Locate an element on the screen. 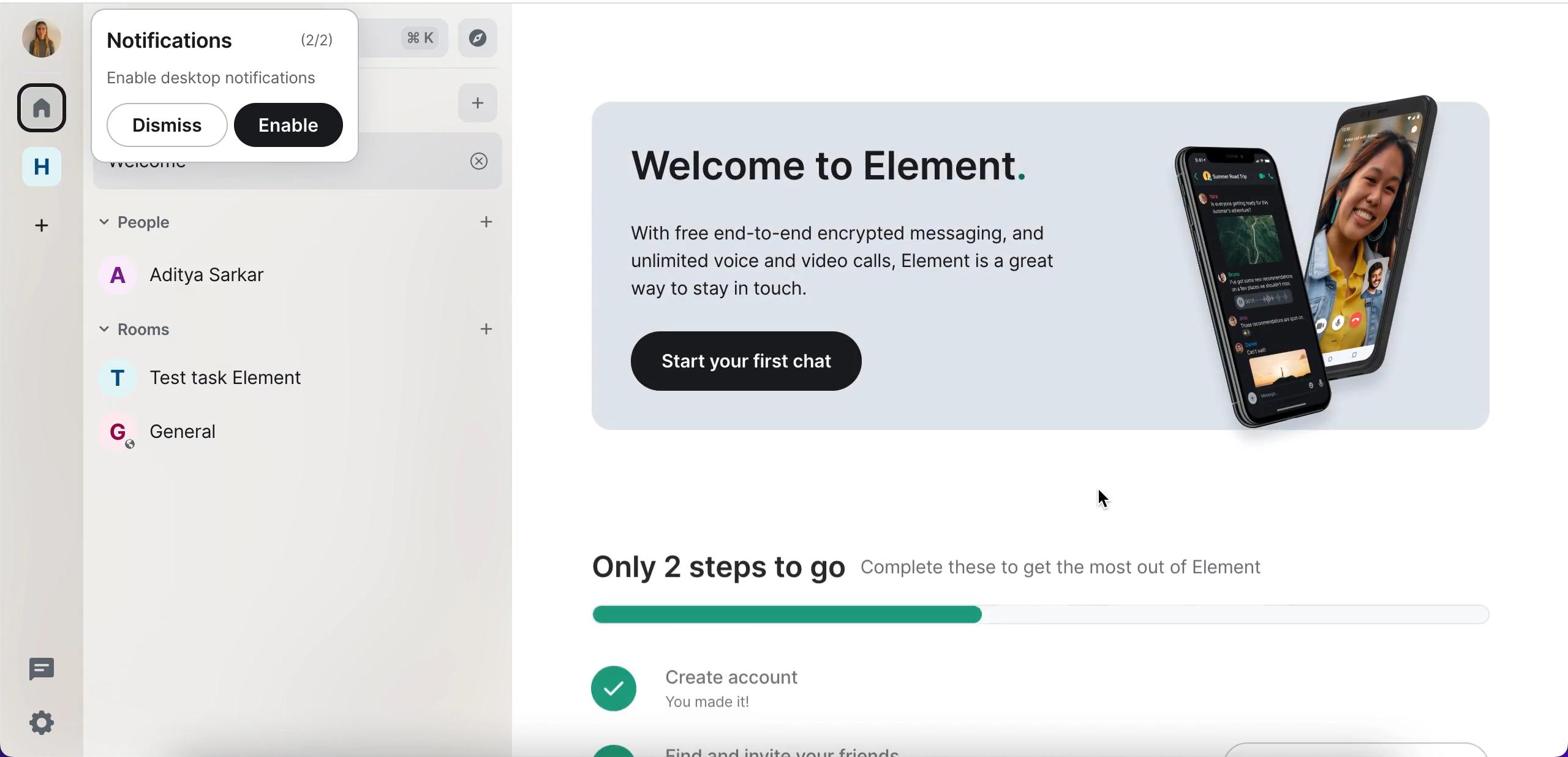 The width and height of the screenshot is (1568, 757). enable desktop notifications is located at coordinates (224, 78).